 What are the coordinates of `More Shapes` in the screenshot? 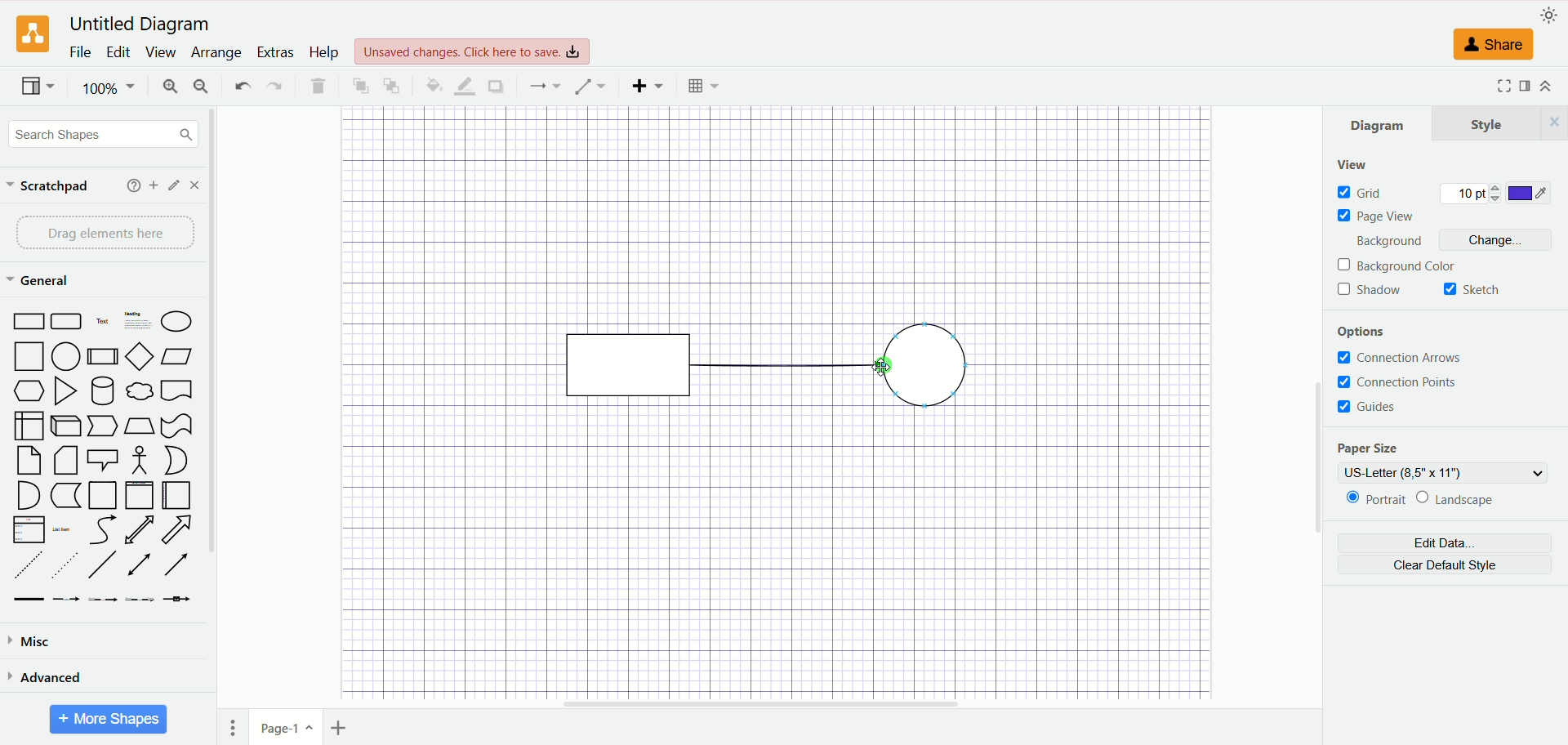 It's located at (109, 719).